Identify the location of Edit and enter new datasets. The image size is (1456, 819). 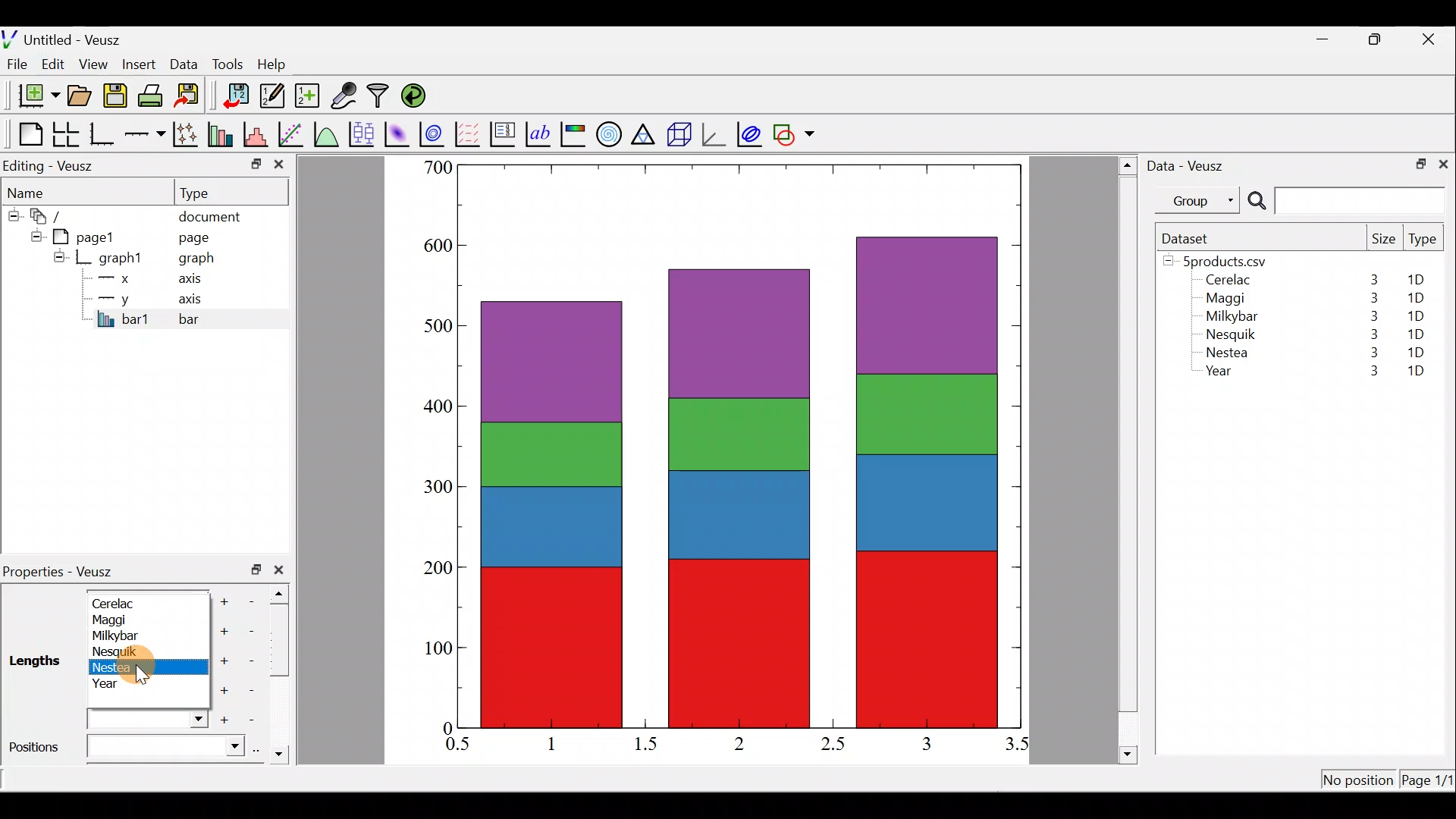
(272, 96).